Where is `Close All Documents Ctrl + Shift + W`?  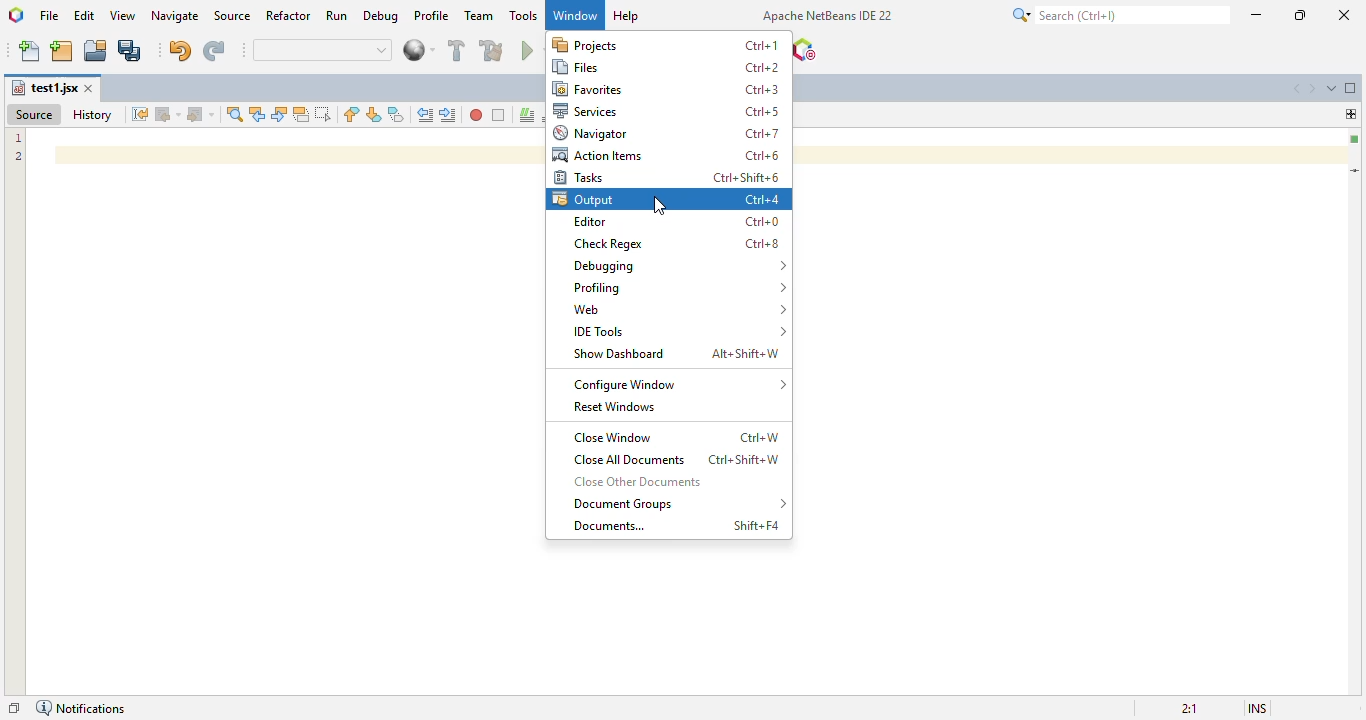 Close All Documents Ctrl + Shift + W is located at coordinates (677, 460).